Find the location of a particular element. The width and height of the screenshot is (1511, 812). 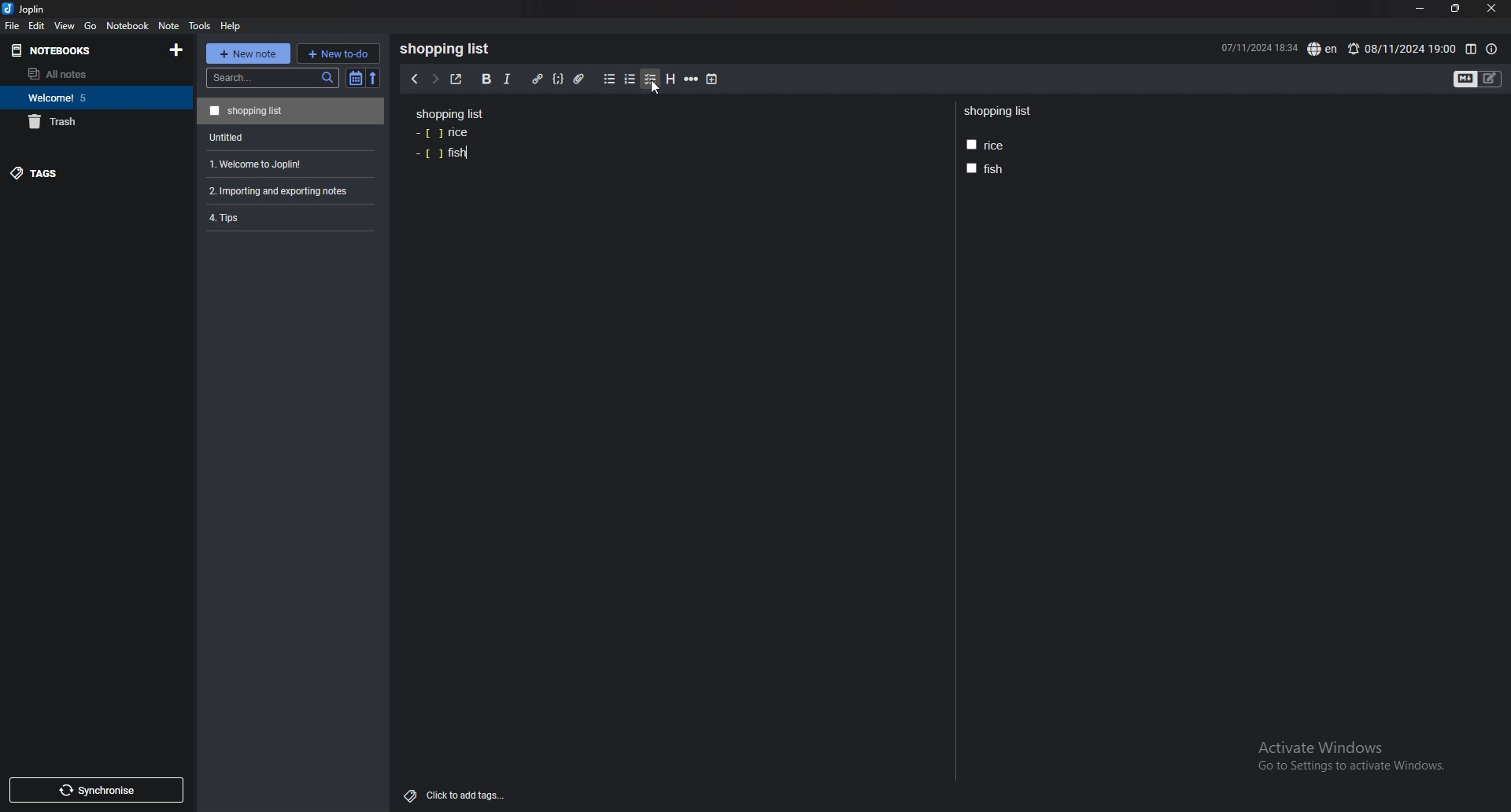

close is located at coordinates (1491, 9).